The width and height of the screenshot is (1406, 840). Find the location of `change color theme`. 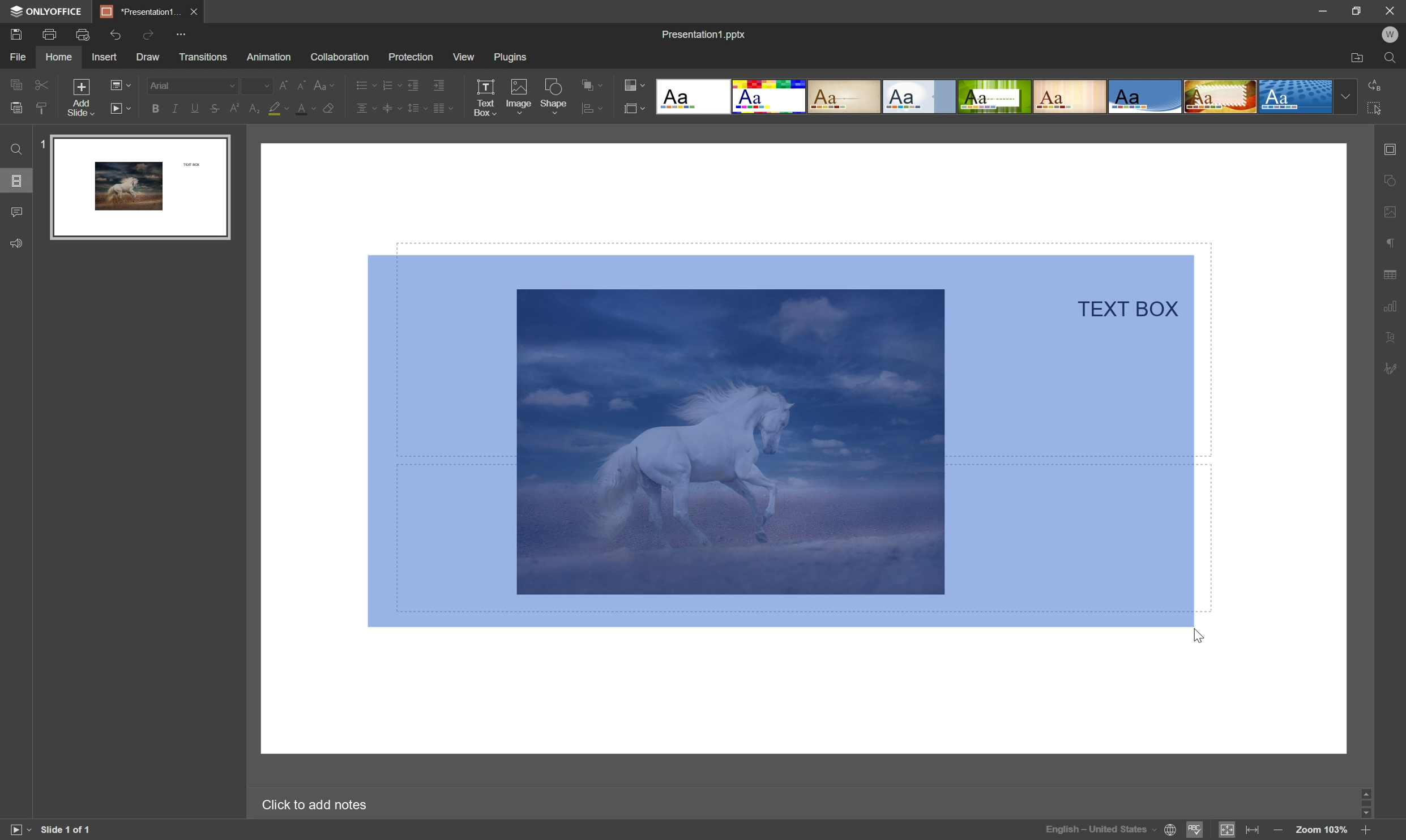

change color theme is located at coordinates (637, 84).